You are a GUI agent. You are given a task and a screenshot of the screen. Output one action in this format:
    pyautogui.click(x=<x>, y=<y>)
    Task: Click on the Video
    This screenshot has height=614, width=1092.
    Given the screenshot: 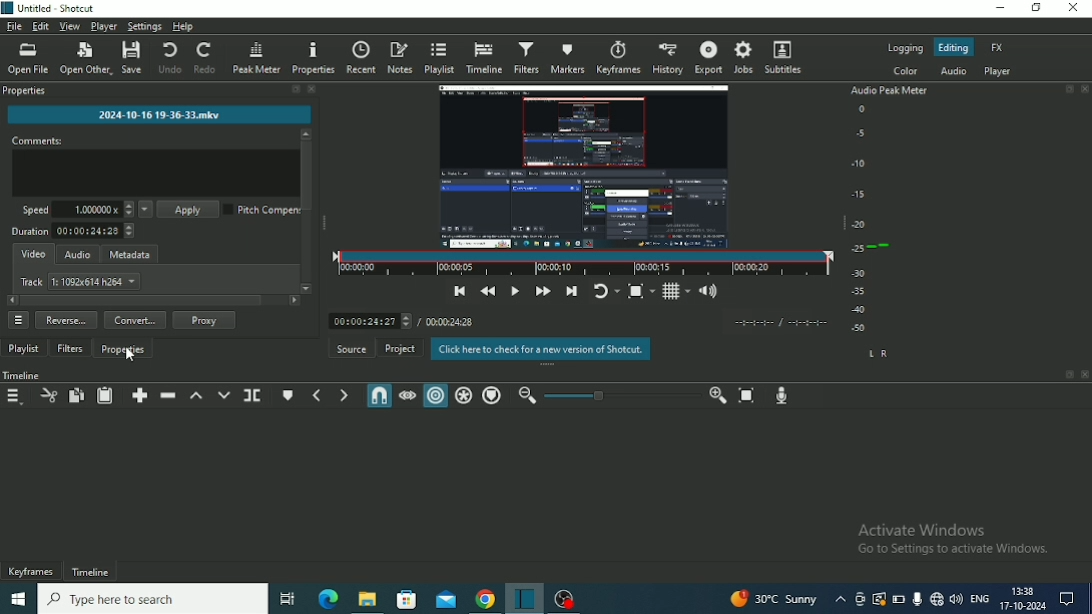 What is the action you would take?
    pyautogui.click(x=34, y=255)
    